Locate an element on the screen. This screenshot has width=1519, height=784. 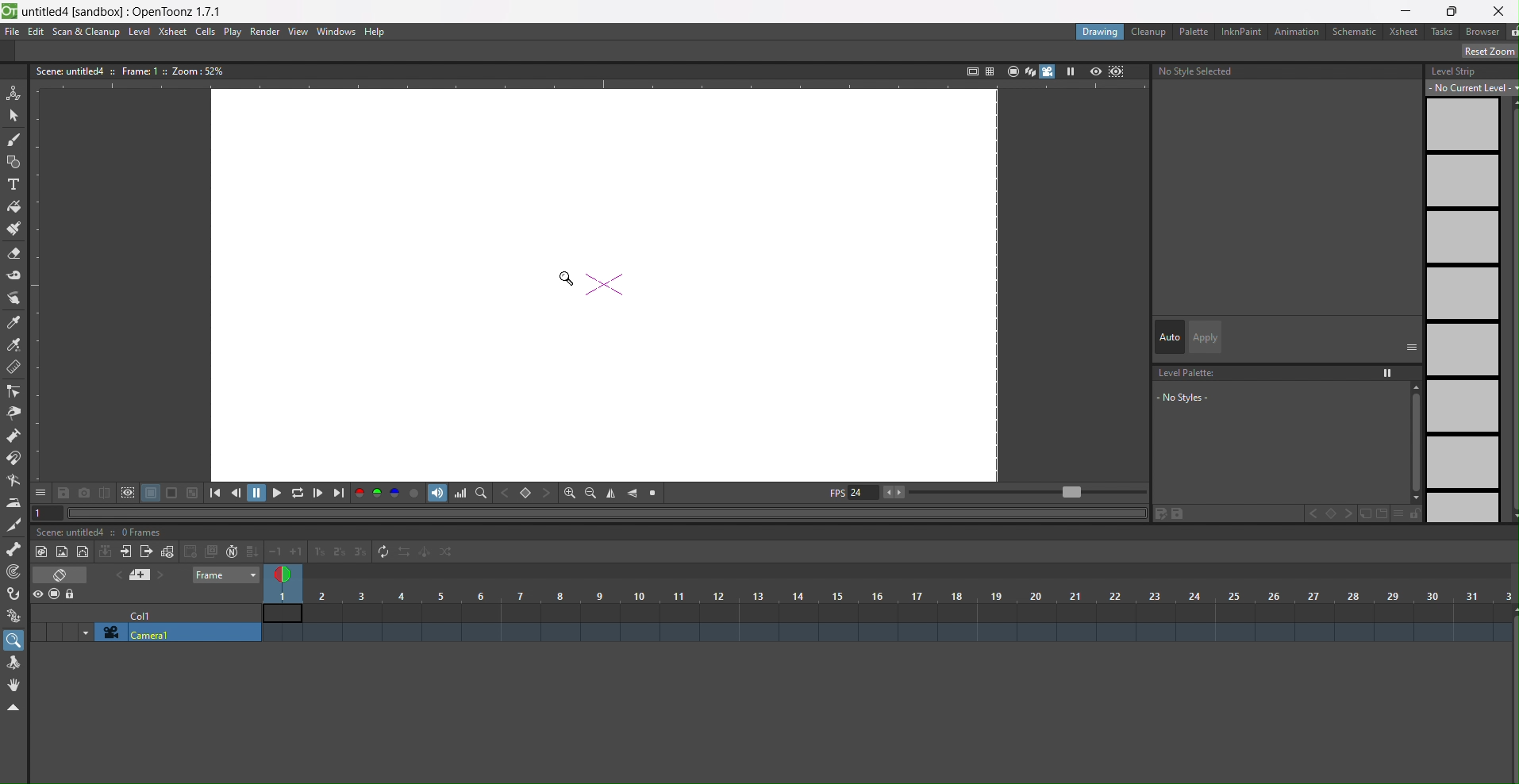
lock column is located at coordinates (71, 595).